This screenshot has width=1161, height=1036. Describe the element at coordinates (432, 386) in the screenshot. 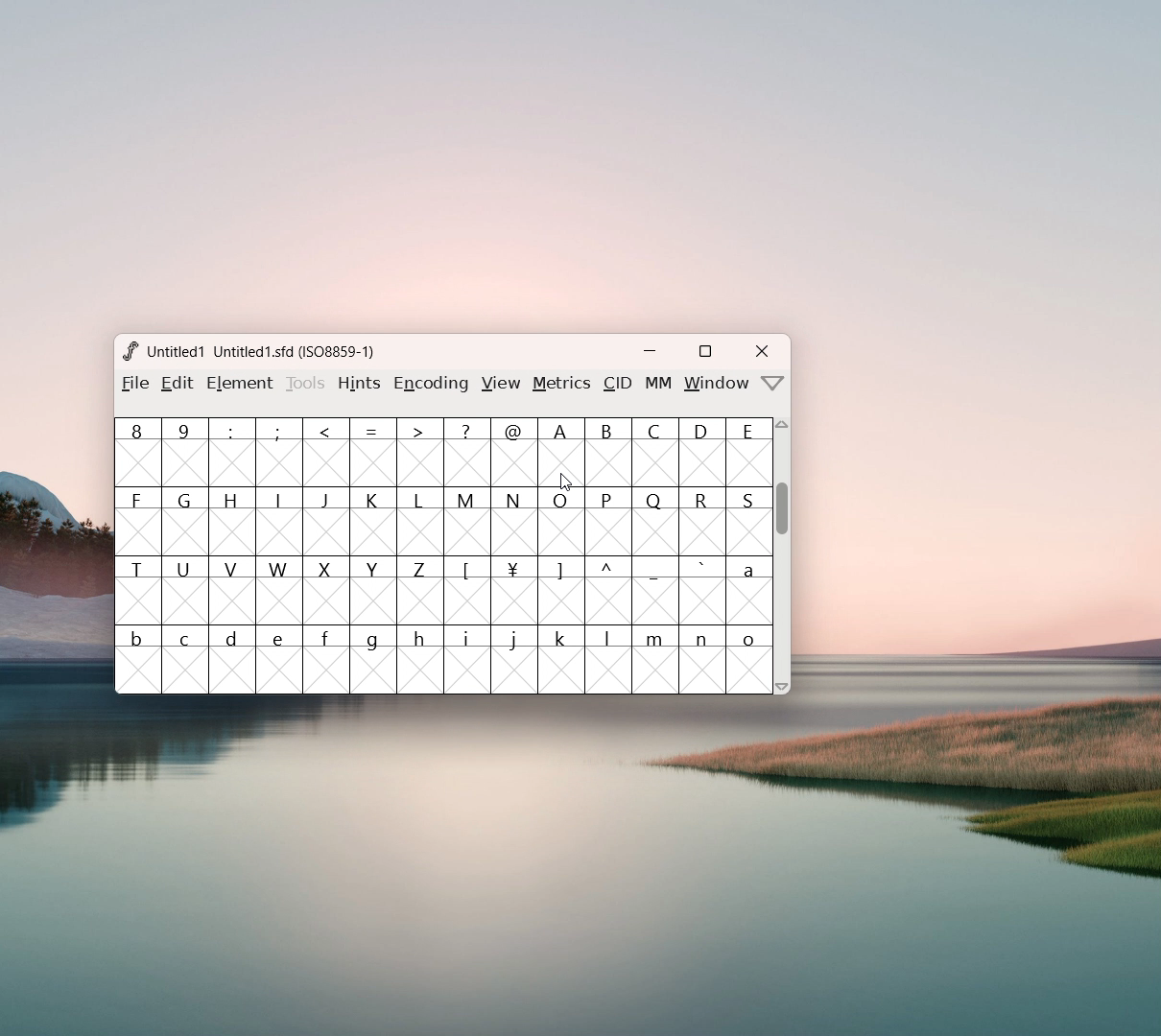

I see `encoding` at that location.